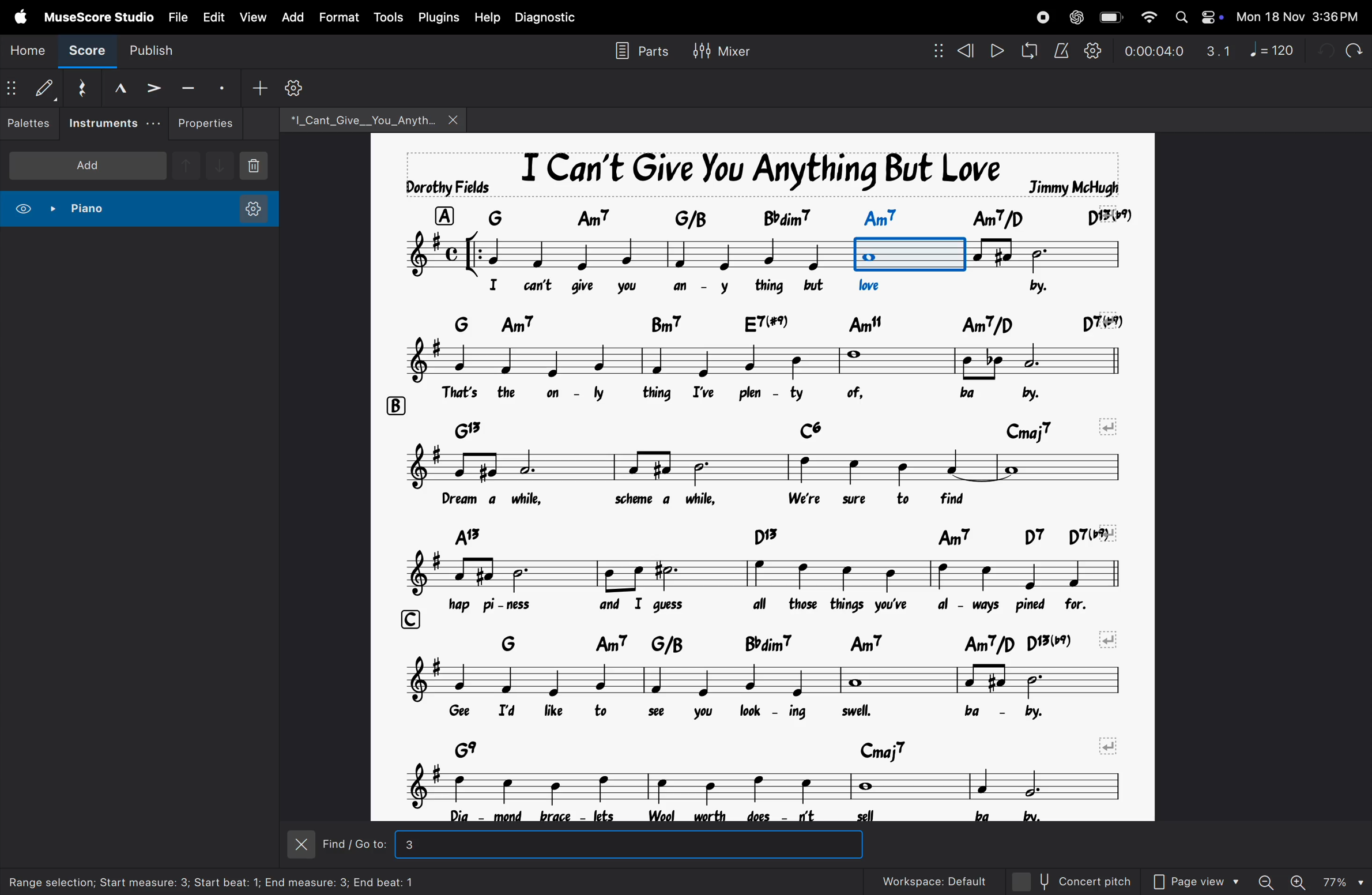 This screenshot has height=895, width=1372. Describe the element at coordinates (1298, 881) in the screenshot. I see `zoom in` at that location.